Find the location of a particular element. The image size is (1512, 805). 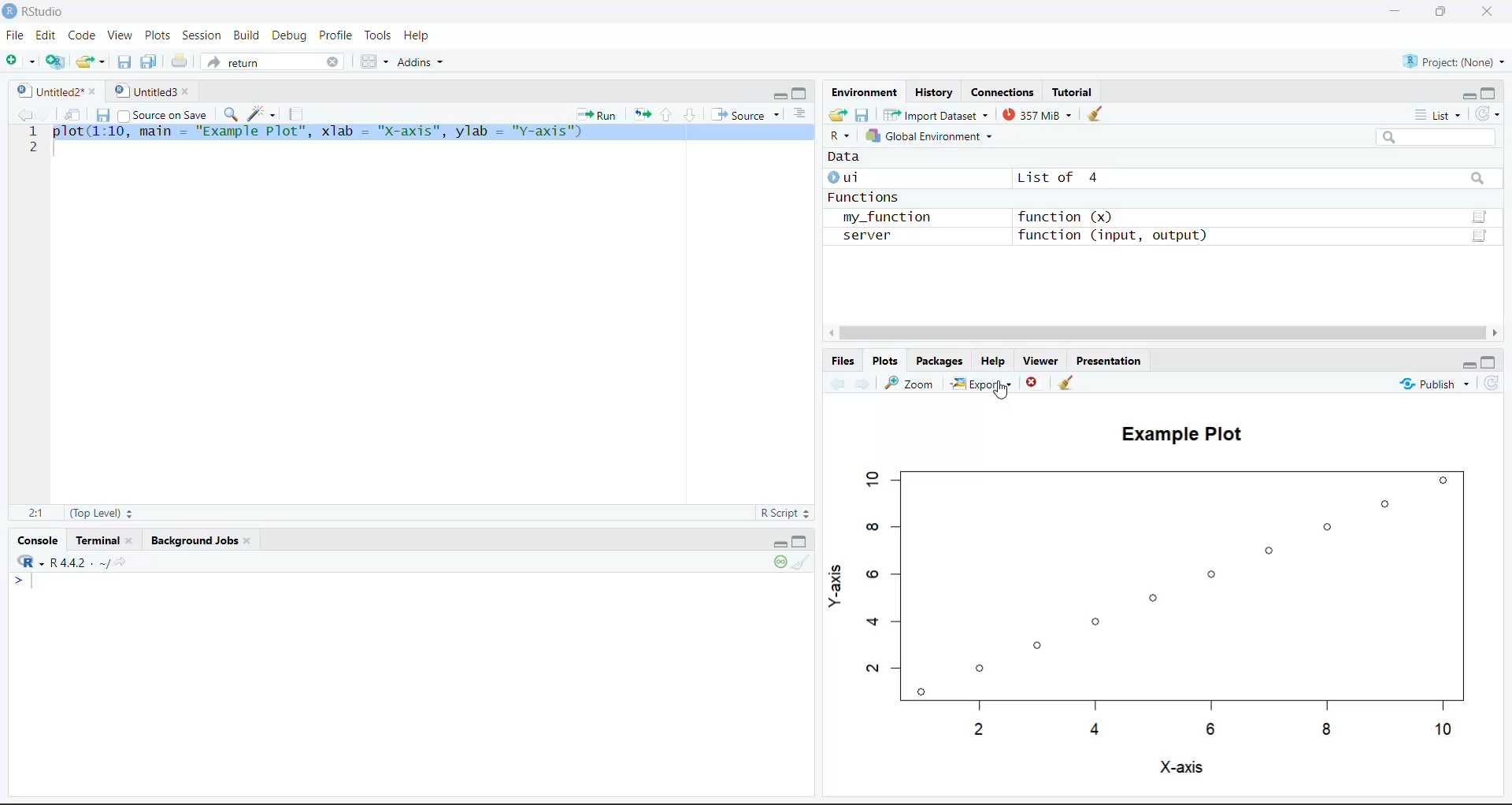

Maximize.Restore is located at coordinates (801, 91).